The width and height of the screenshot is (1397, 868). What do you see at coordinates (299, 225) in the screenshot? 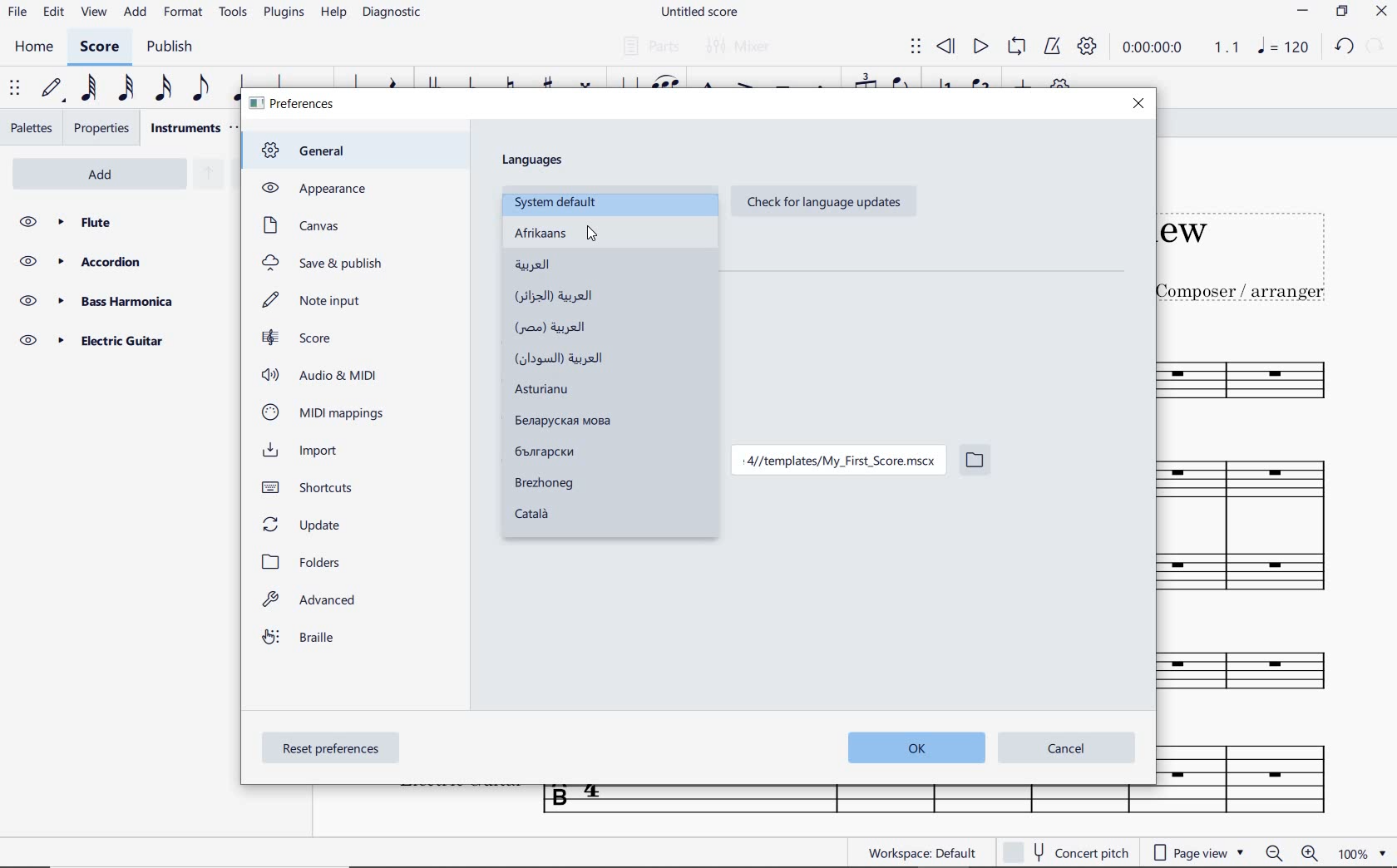
I see `canvas` at bounding box center [299, 225].